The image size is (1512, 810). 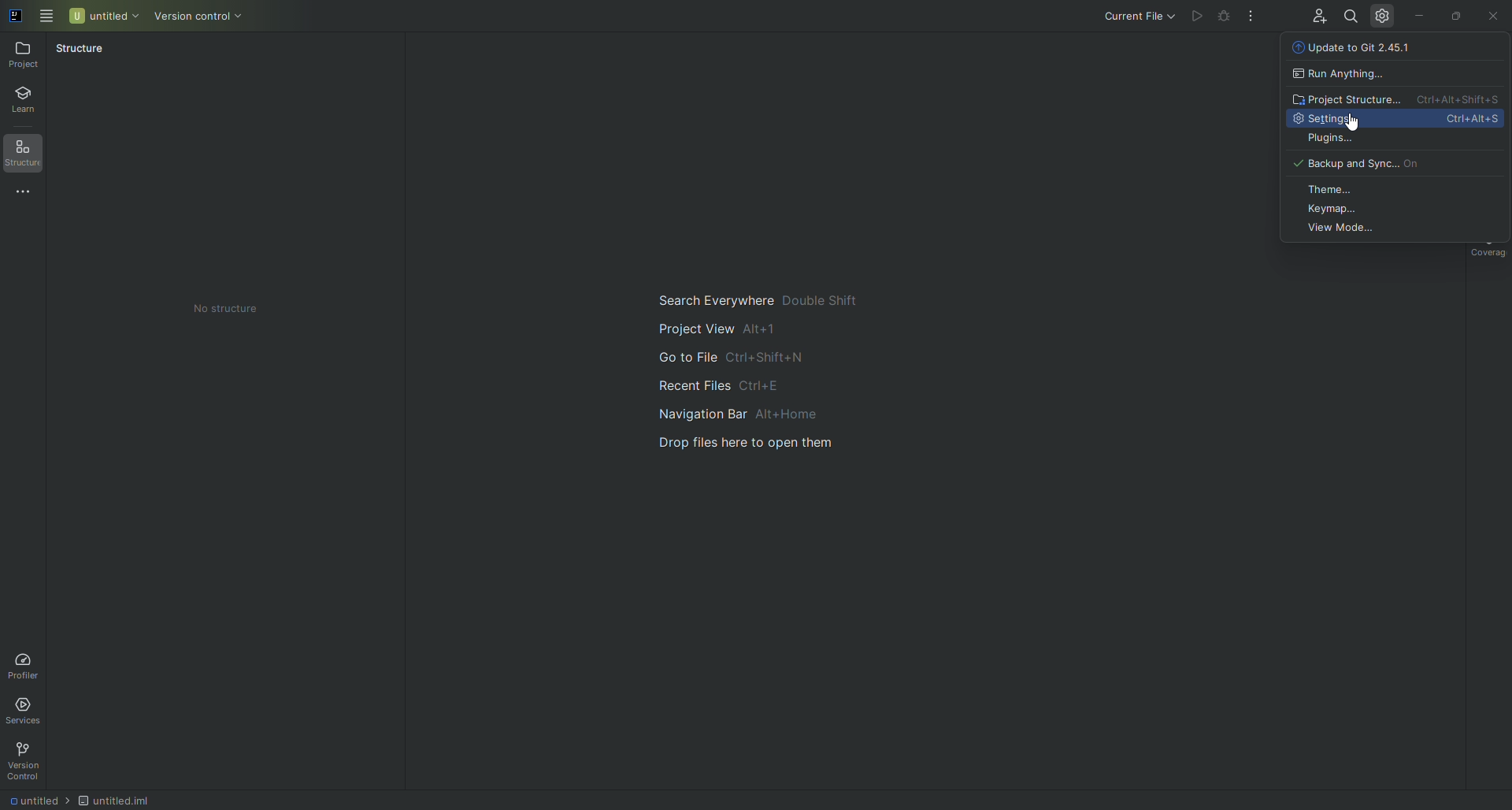 I want to click on More Tools, so click(x=28, y=195).